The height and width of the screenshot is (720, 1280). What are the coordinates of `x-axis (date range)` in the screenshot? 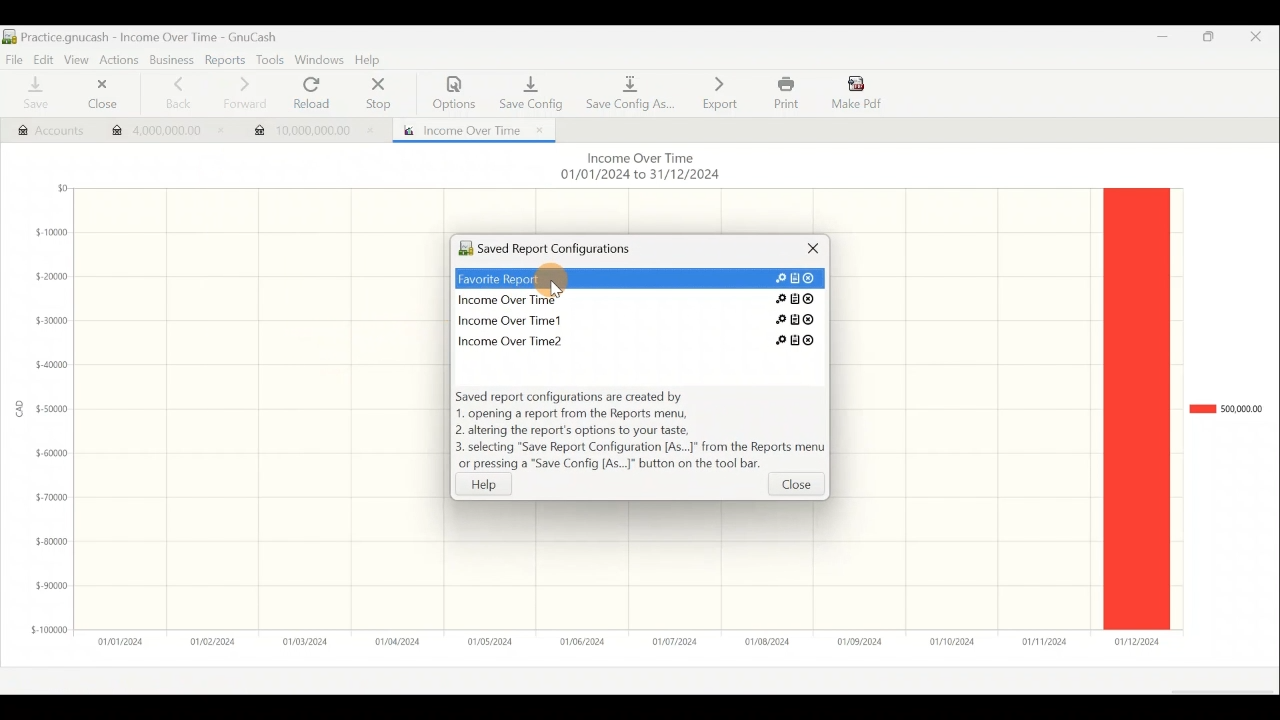 It's located at (616, 641).